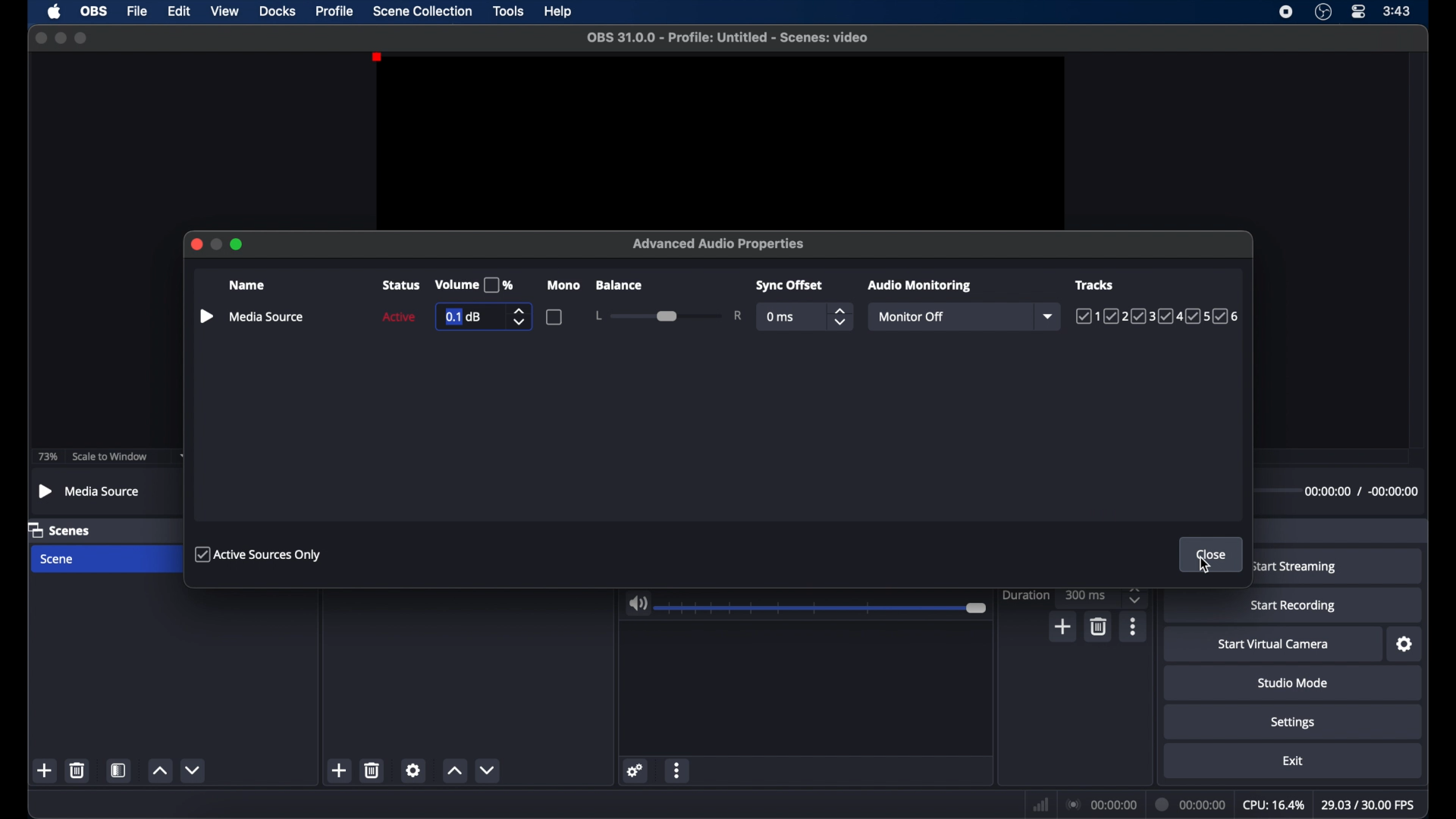 The width and height of the screenshot is (1456, 819). What do you see at coordinates (1211, 555) in the screenshot?
I see `close` at bounding box center [1211, 555].